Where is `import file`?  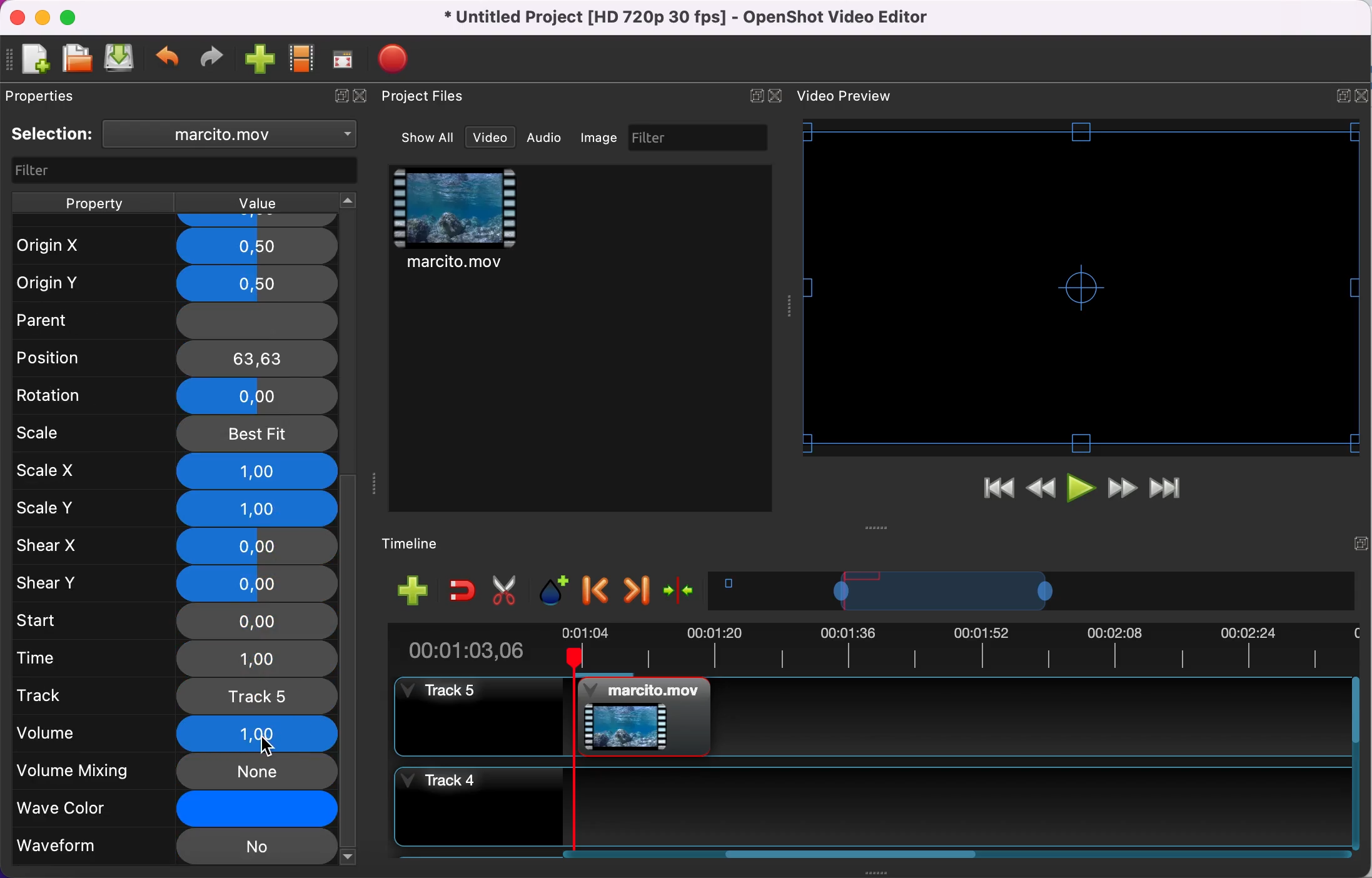 import file is located at coordinates (261, 60).